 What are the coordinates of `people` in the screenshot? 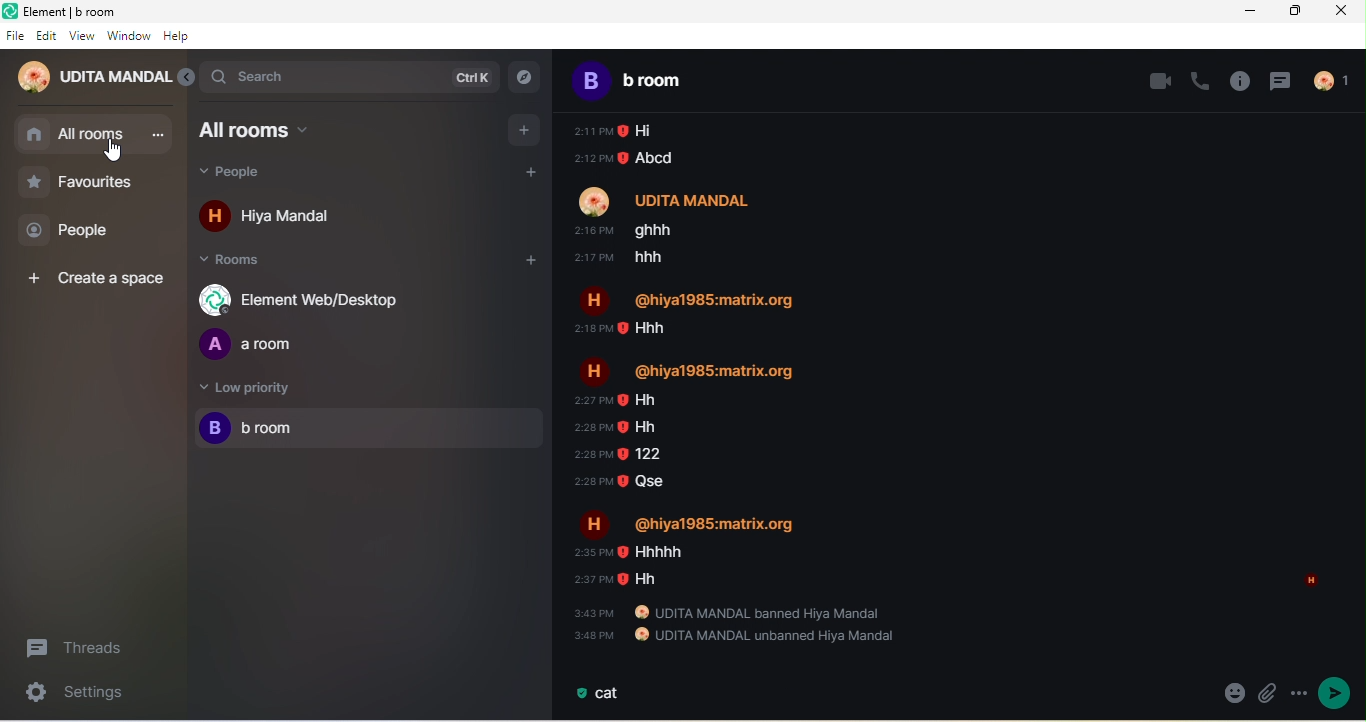 It's located at (254, 175).